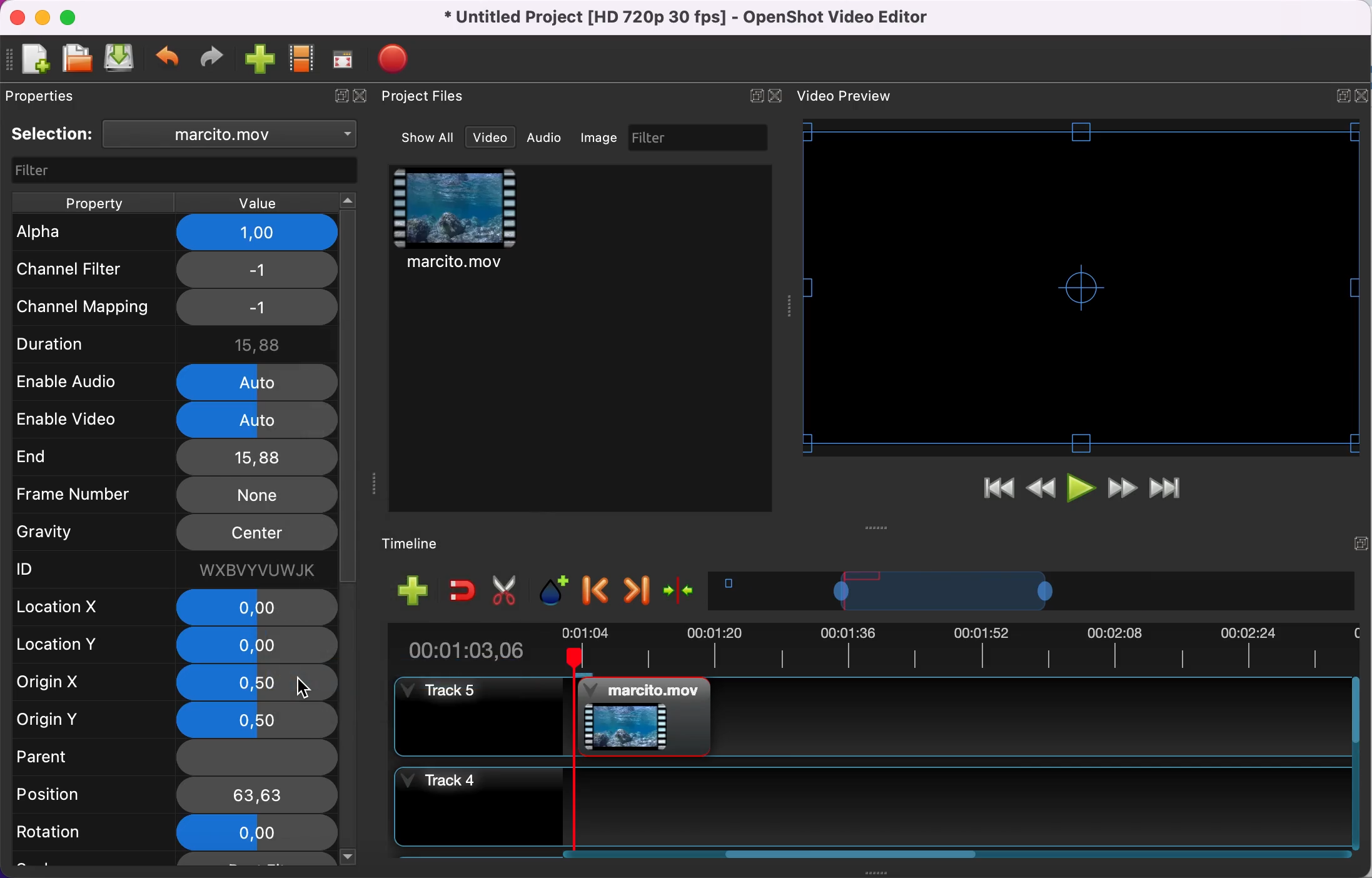  What do you see at coordinates (178, 233) in the screenshot?
I see `alpha 1` at bounding box center [178, 233].